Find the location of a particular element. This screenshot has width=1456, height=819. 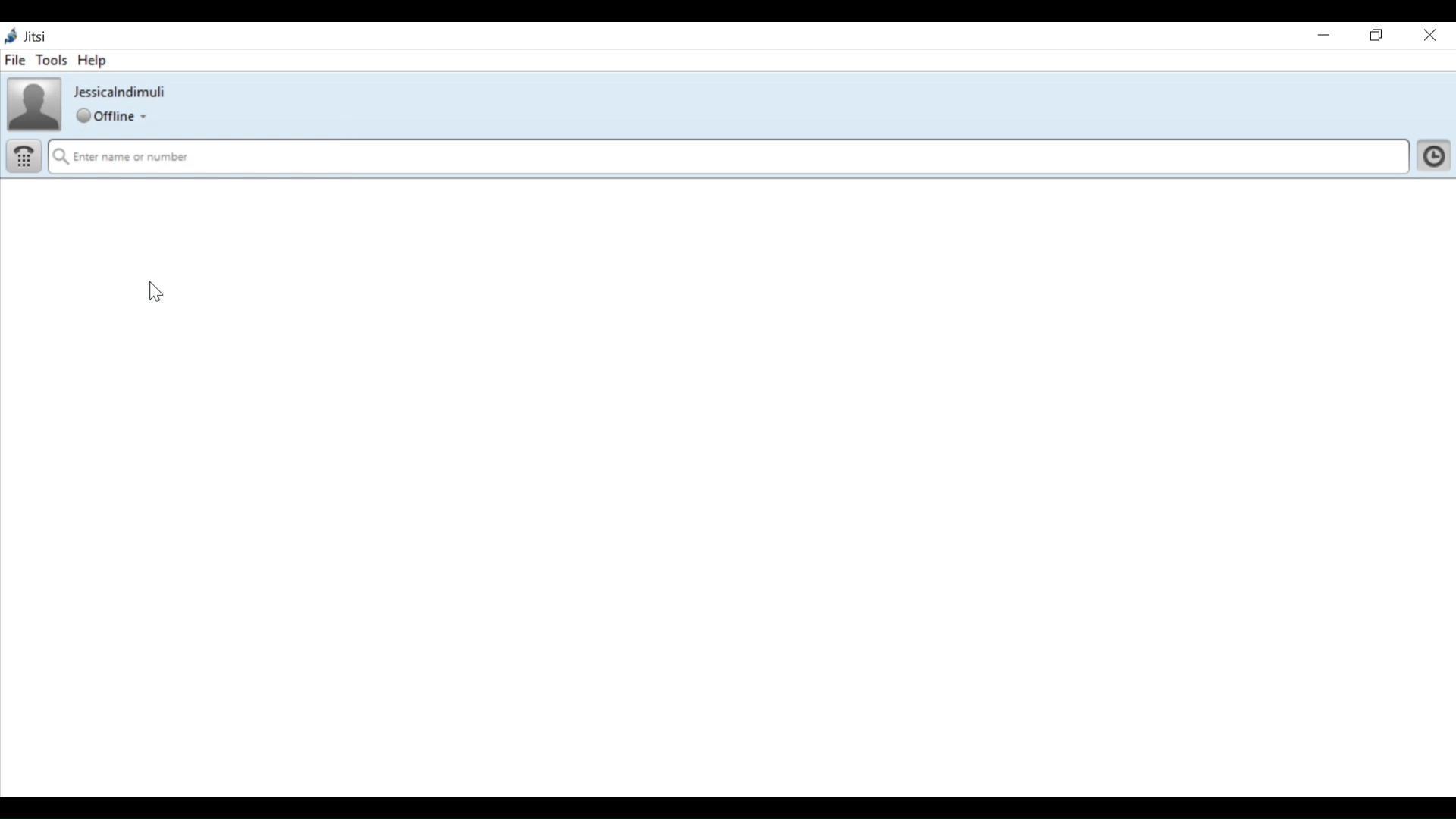

Enter name or number is located at coordinates (730, 155).